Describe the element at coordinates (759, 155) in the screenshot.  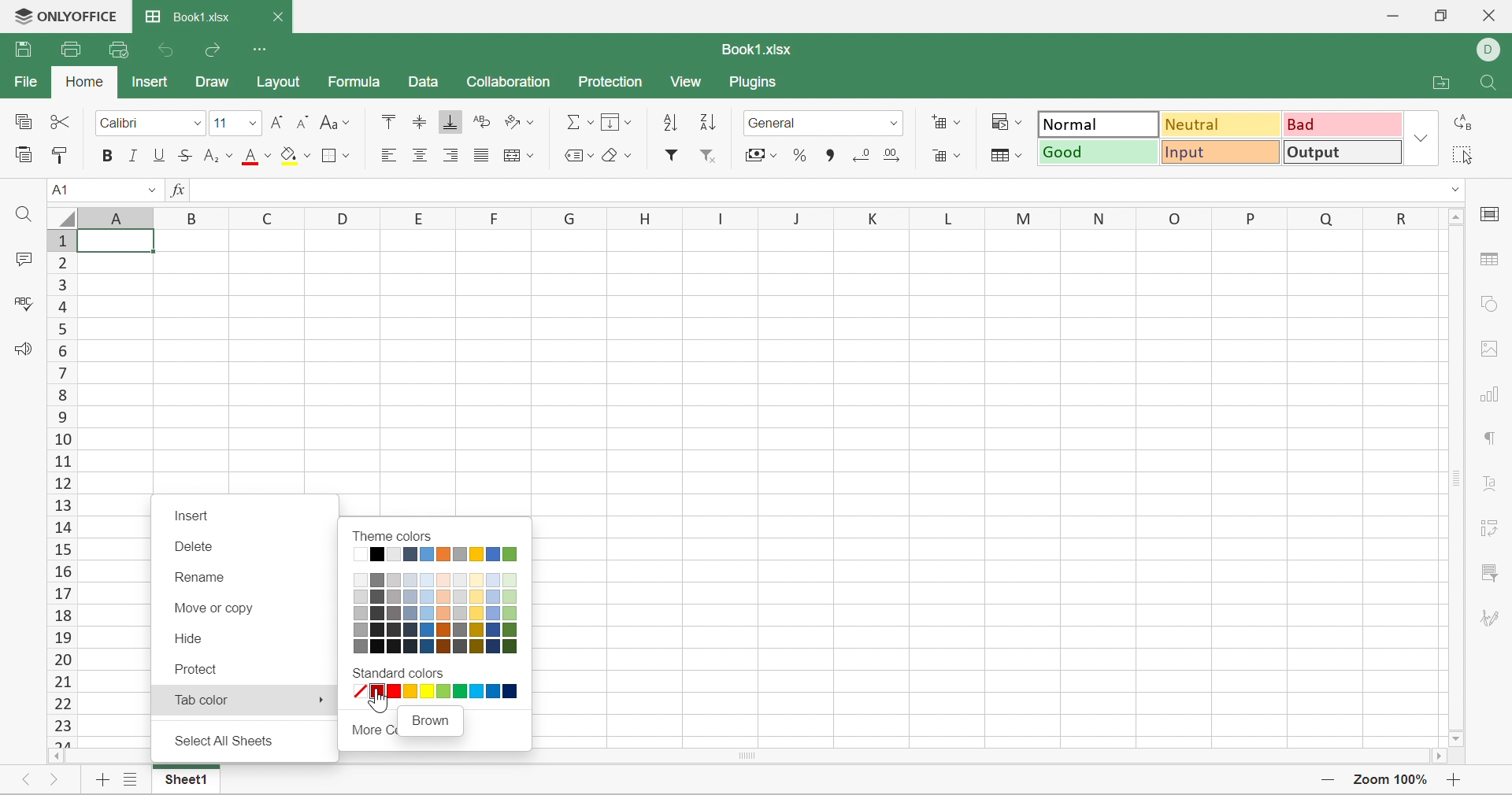
I see `Accounting style` at that location.